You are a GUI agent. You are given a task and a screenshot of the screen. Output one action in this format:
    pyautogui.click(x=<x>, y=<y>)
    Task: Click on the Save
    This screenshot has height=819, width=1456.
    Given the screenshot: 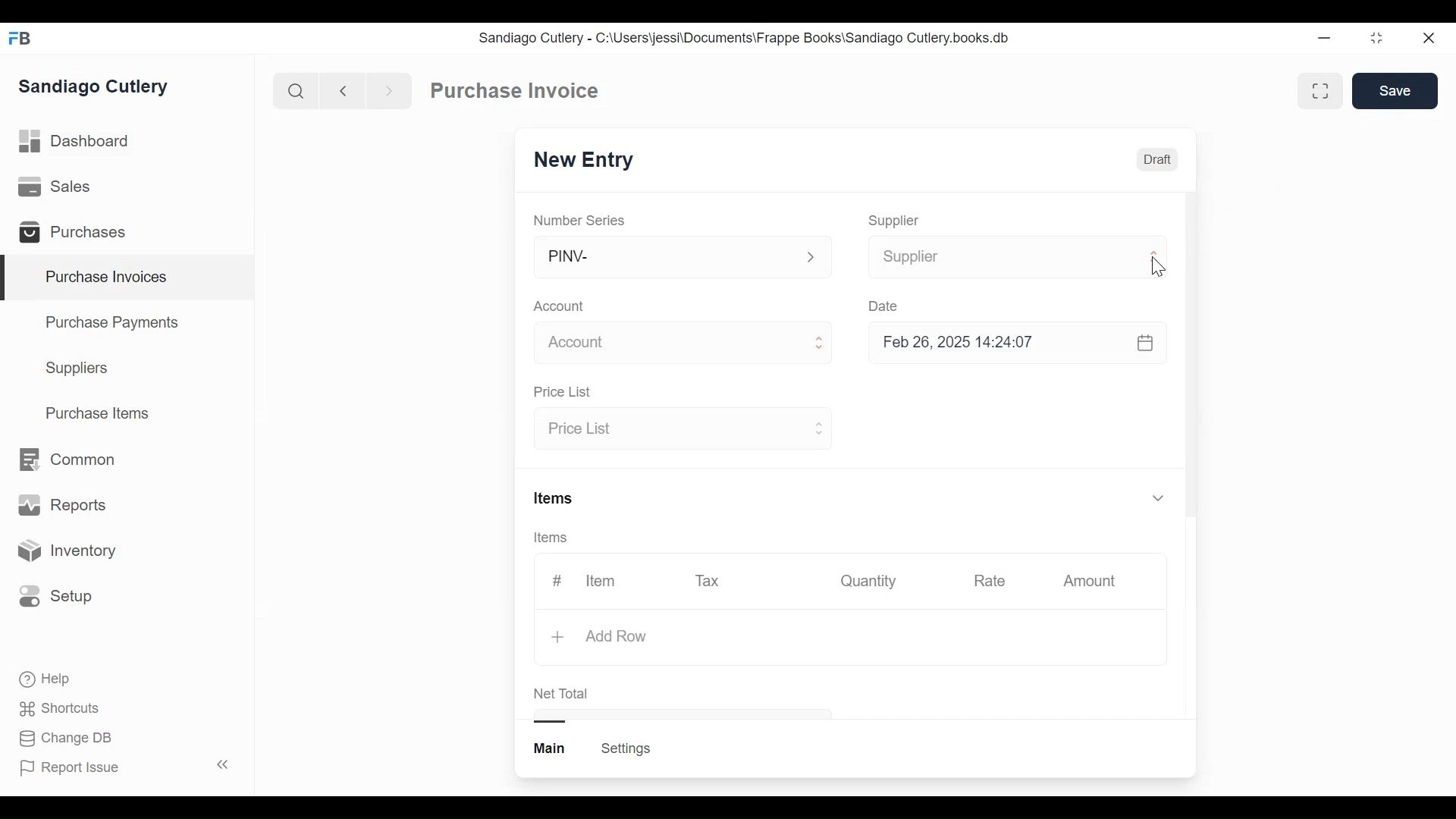 What is the action you would take?
    pyautogui.click(x=1397, y=91)
    